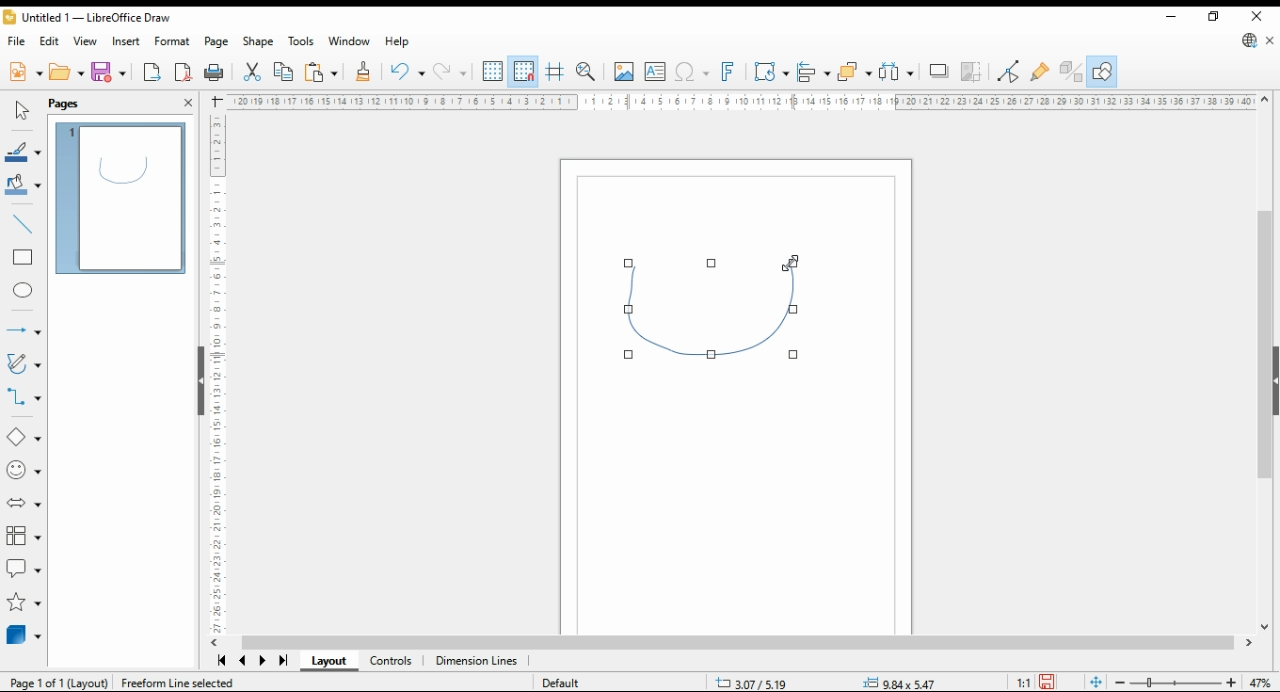 This screenshot has height=692, width=1280. I want to click on zoom slider, so click(1174, 682).